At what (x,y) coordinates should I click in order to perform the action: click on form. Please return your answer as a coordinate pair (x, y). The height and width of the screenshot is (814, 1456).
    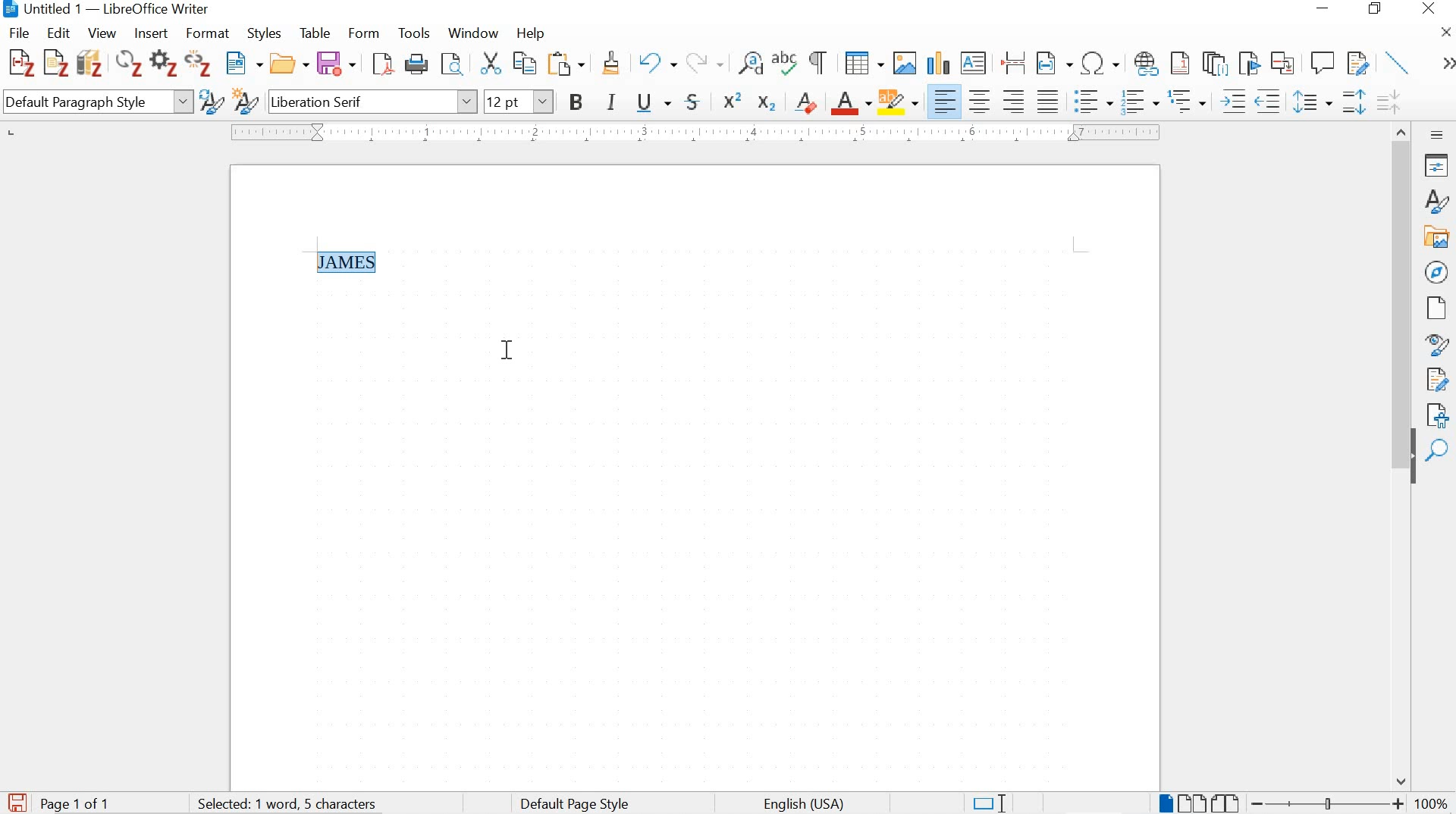
    Looking at the image, I should click on (365, 33).